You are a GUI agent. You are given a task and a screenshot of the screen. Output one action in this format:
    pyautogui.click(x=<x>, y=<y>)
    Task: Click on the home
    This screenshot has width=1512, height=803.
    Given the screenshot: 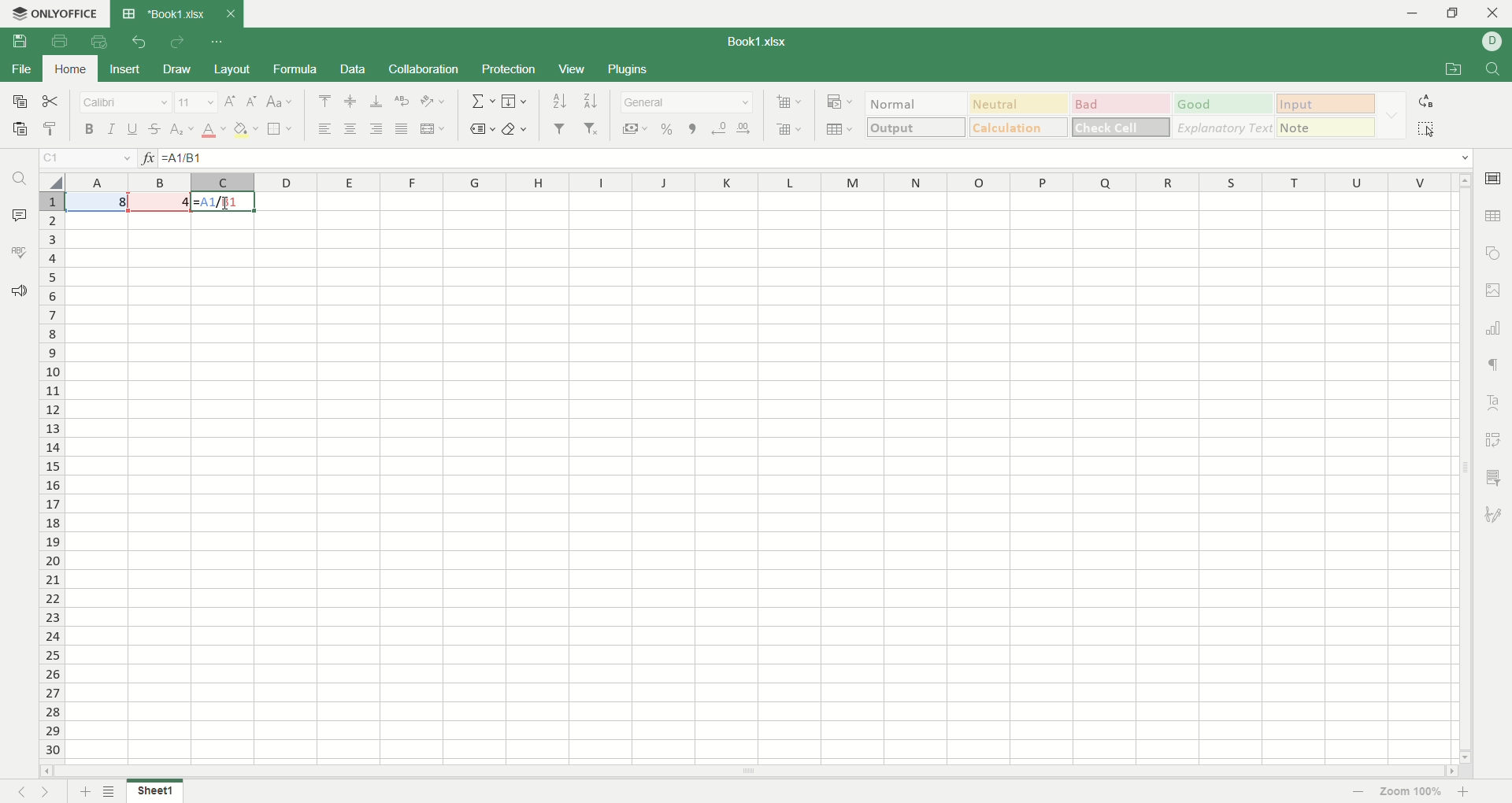 What is the action you would take?
    pyautogui.click(x=71, y=68)
    